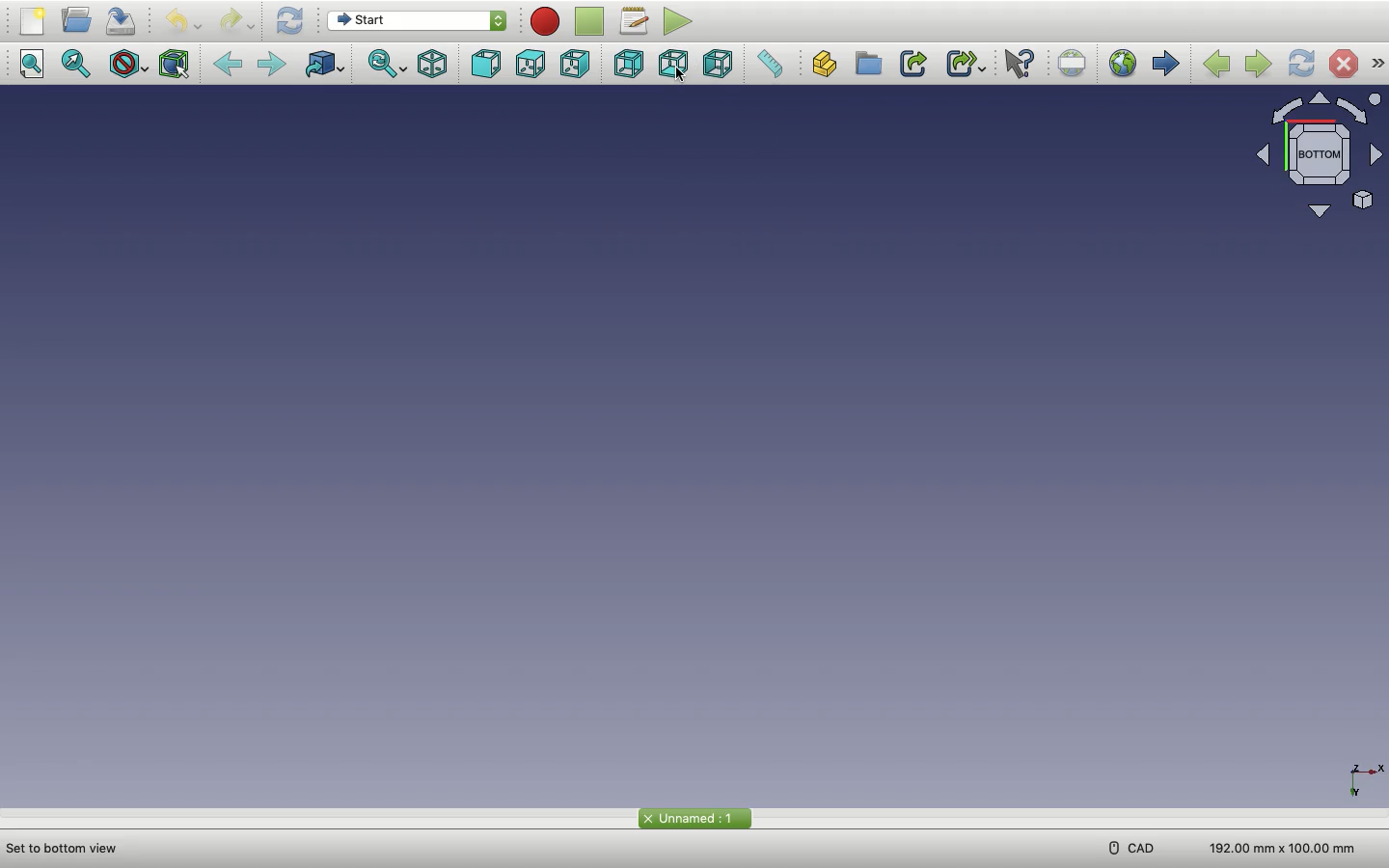 The width and height of the screenshot is (1389, 868). What do you see at coordinates (125, 21) in the screenshot?
I see `Save` at bounding box center [125, 21].